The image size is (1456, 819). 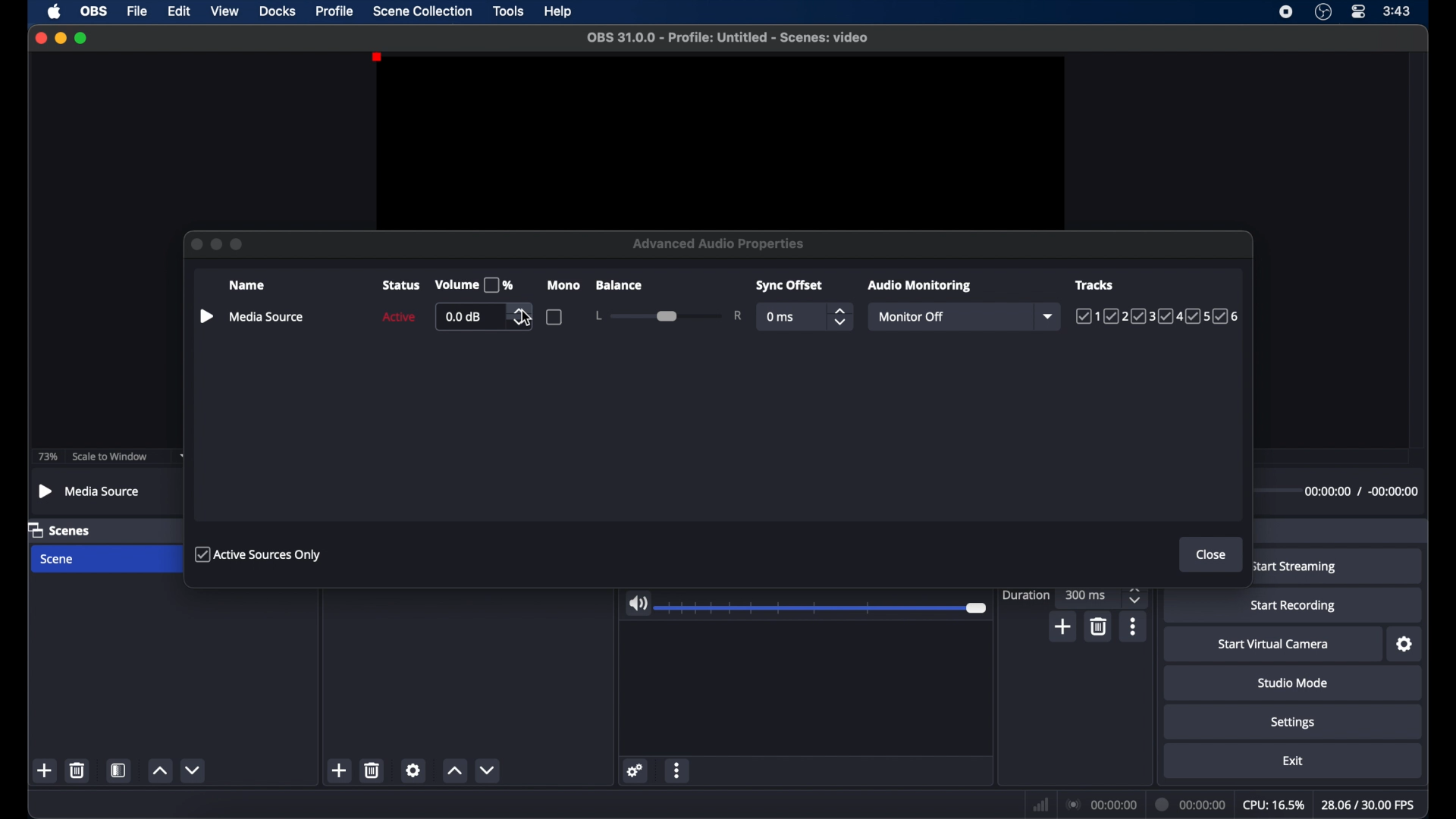 What do you see at coordinates (635, 770) in the screenshot?
I see `settings` at bounding box center [635, 770].